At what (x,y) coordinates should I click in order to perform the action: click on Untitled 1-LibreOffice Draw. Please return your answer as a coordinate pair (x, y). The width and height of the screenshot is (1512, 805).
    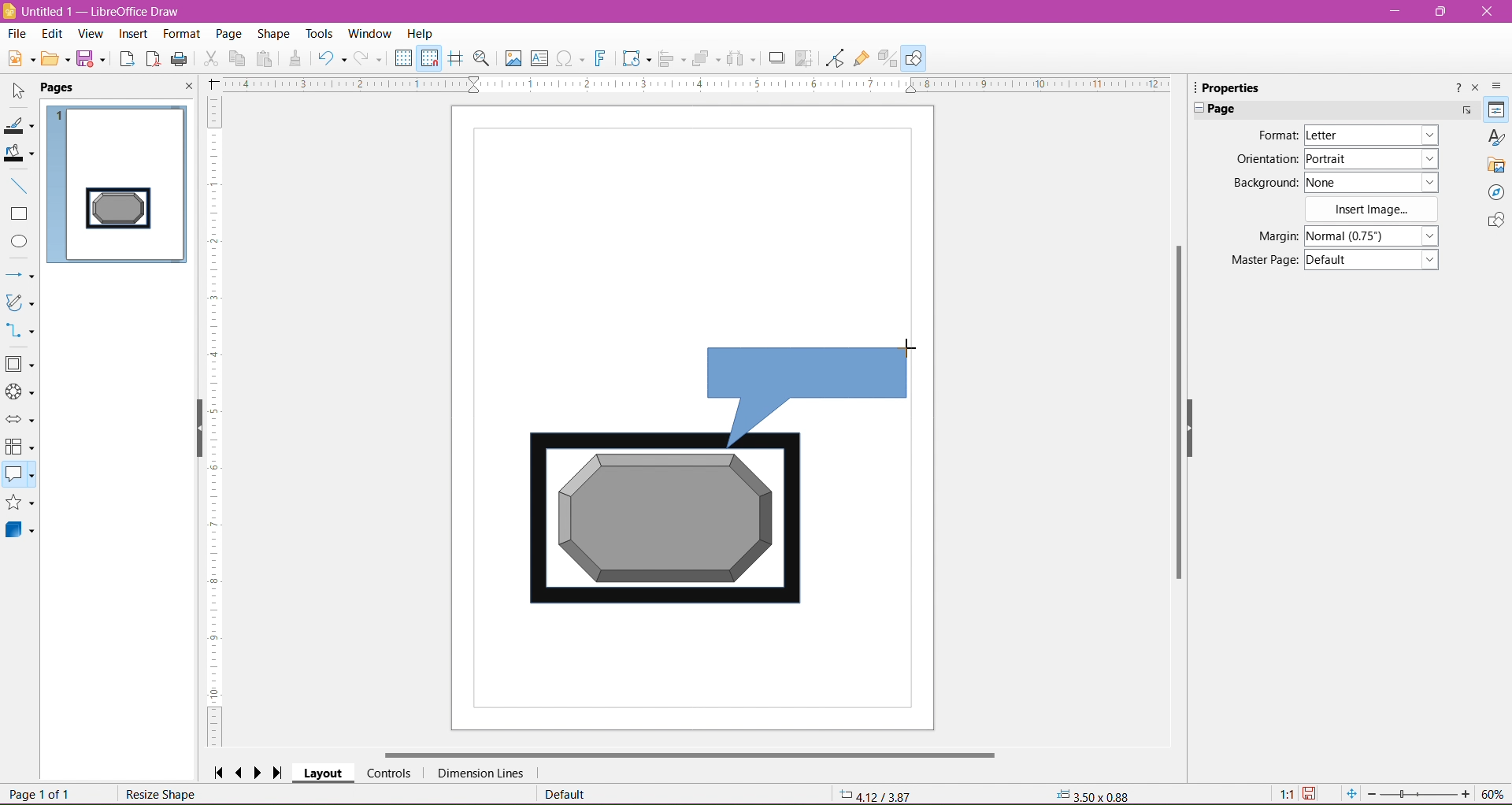
    Looking at the image, I should click on (108, 10).